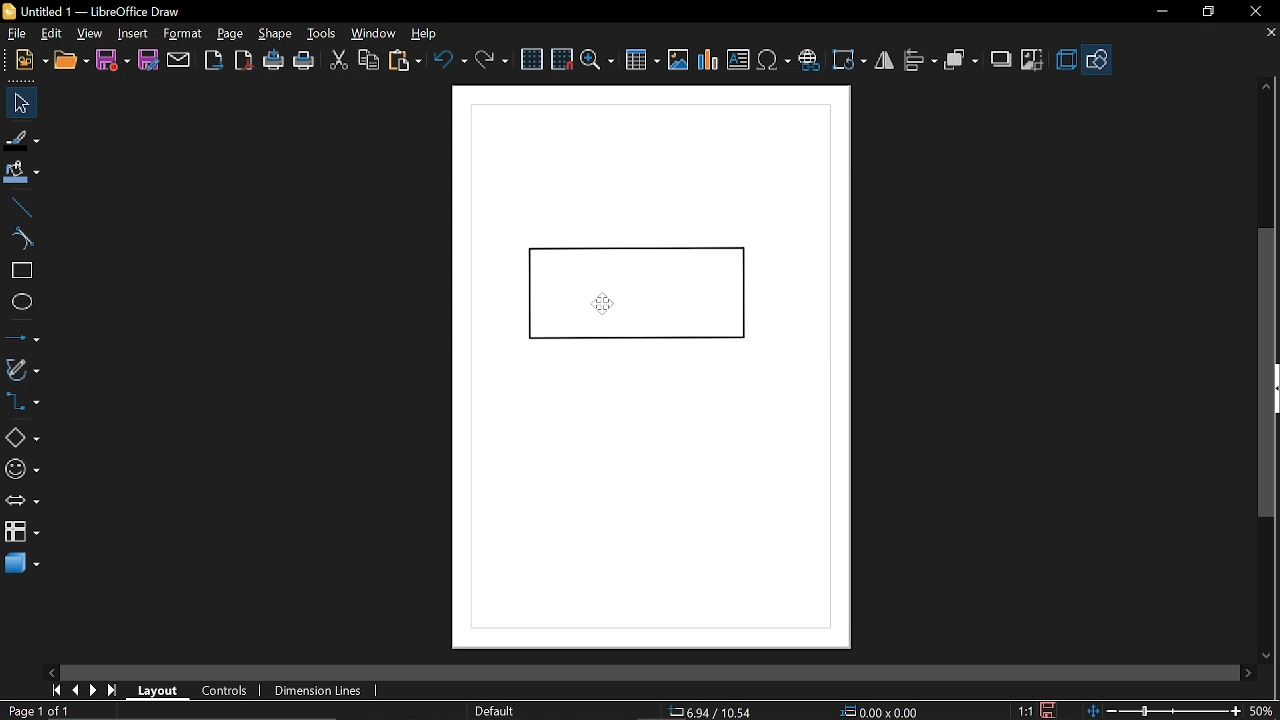 The image size is (1280, 720). Describe the element at coordinates (1263, 711) in the screenshot. I see `current zoom (50%)` at that location.